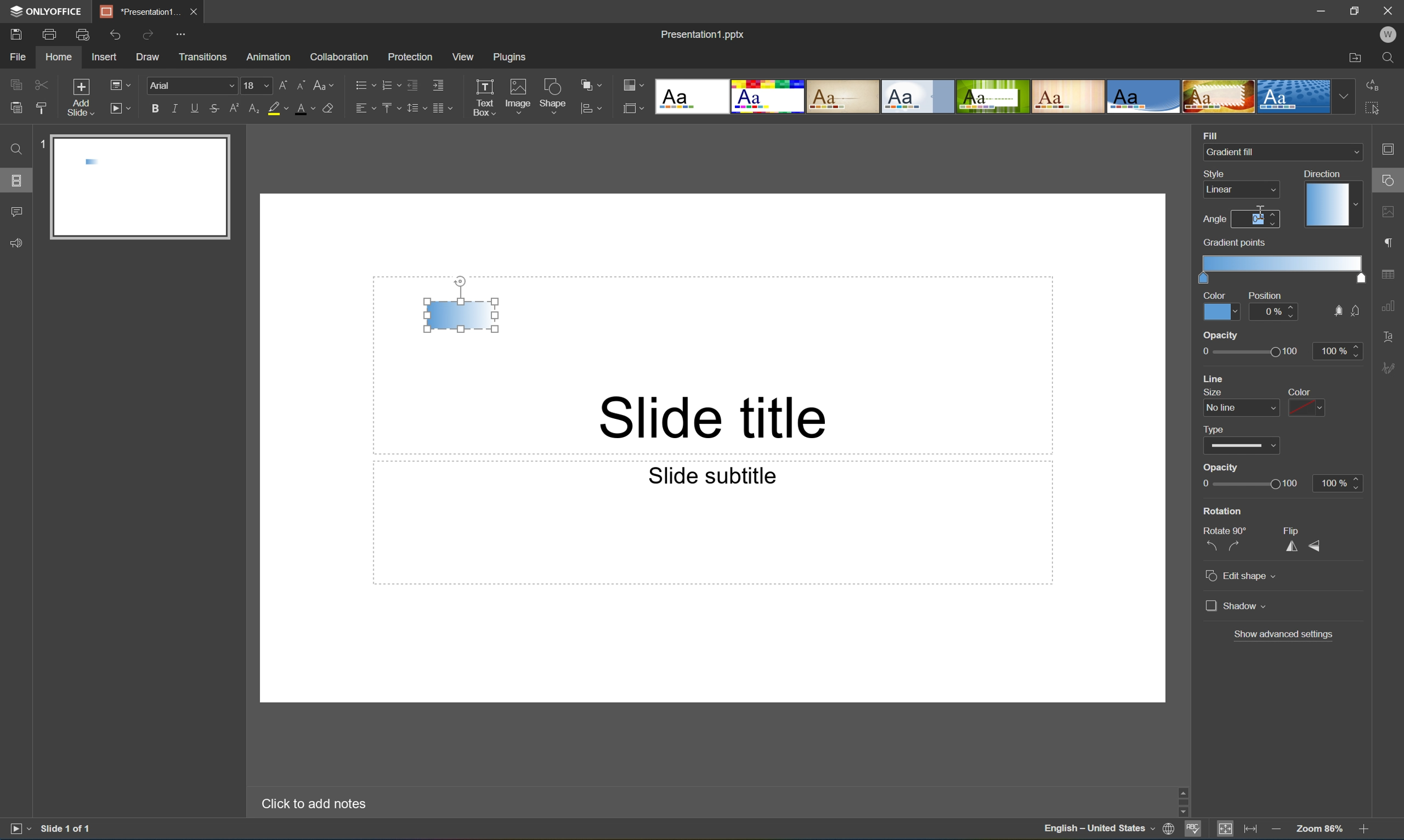 This screenshot has width=1404, height=840. Describe the element at coordinates (118, 83) in the screenshot. I see `Change slide layout` at that location.